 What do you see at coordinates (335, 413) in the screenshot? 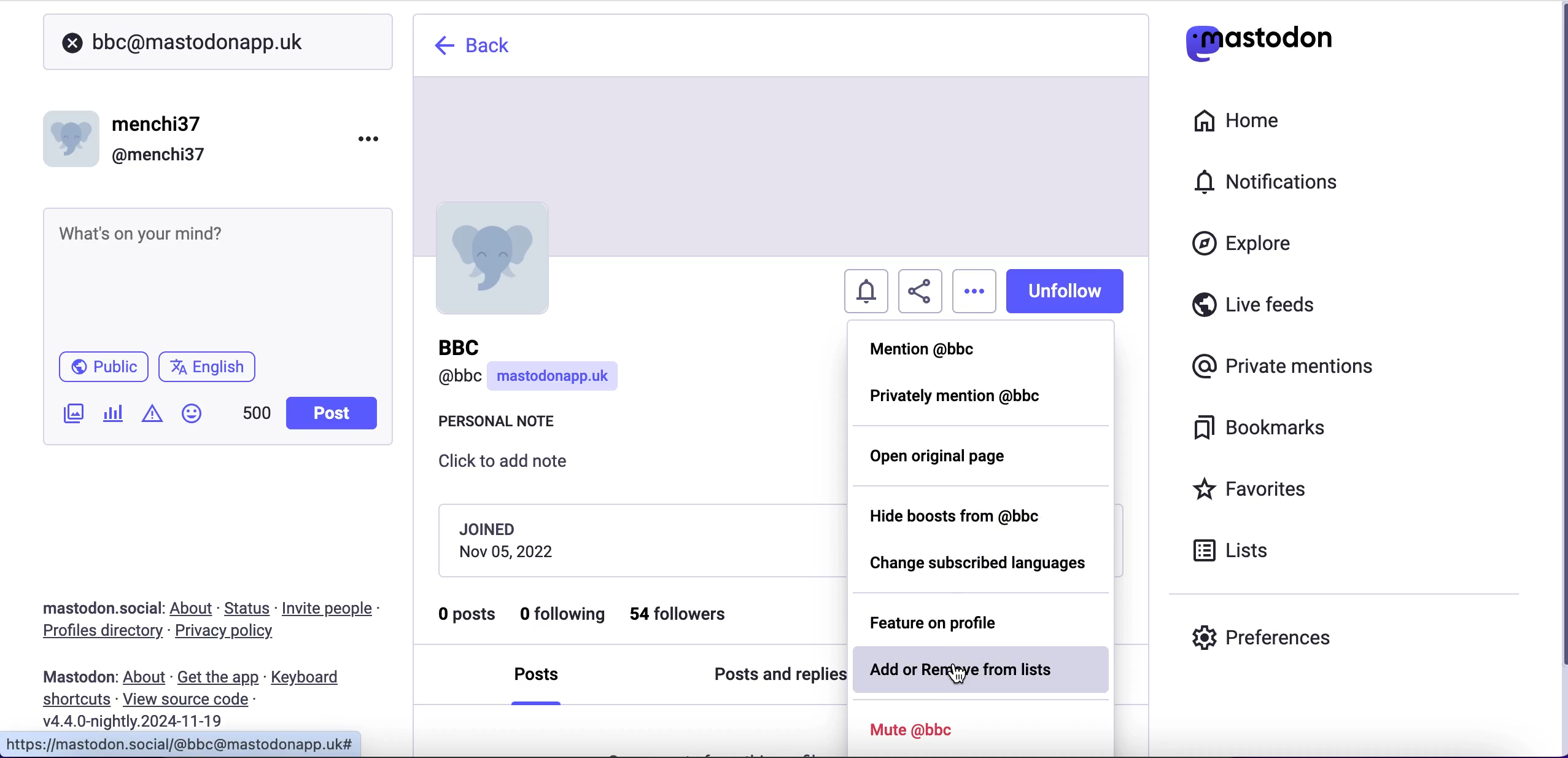
I see `post button` at bounding box center [335, 413].